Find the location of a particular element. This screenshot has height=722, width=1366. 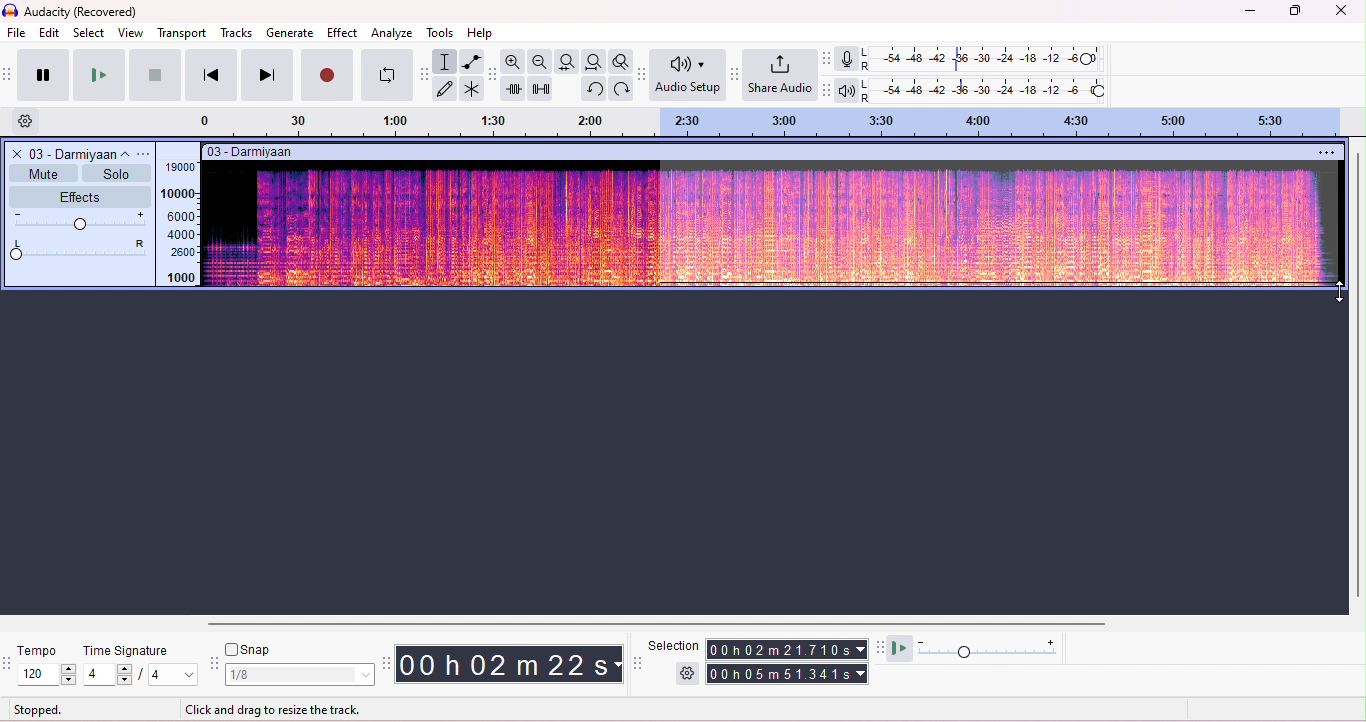

playback speed is located at coordinates (991, 649).